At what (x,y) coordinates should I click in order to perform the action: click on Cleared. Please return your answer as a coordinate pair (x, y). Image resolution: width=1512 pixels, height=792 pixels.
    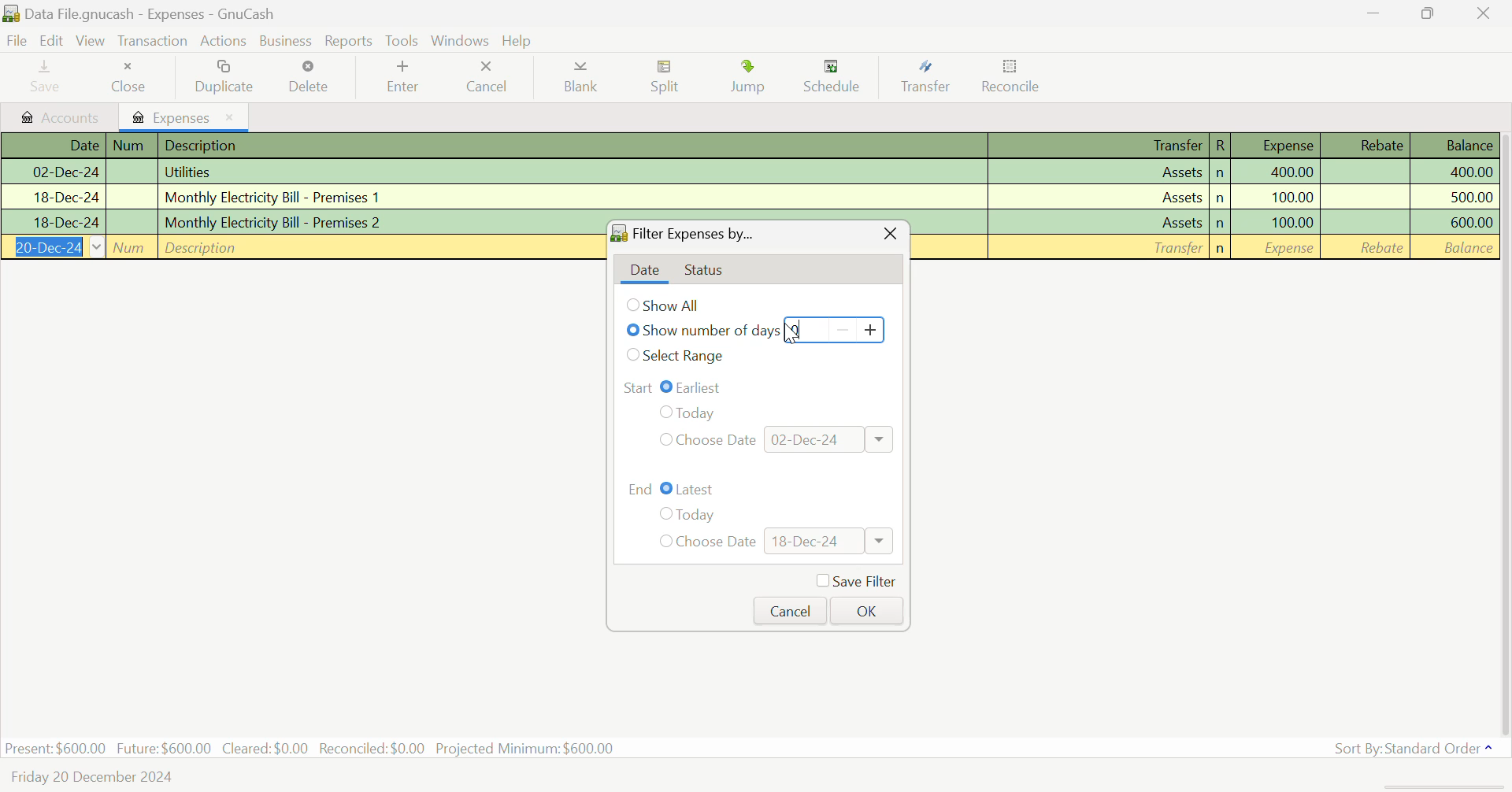
    Looking at the image, I should click on (265, 749).